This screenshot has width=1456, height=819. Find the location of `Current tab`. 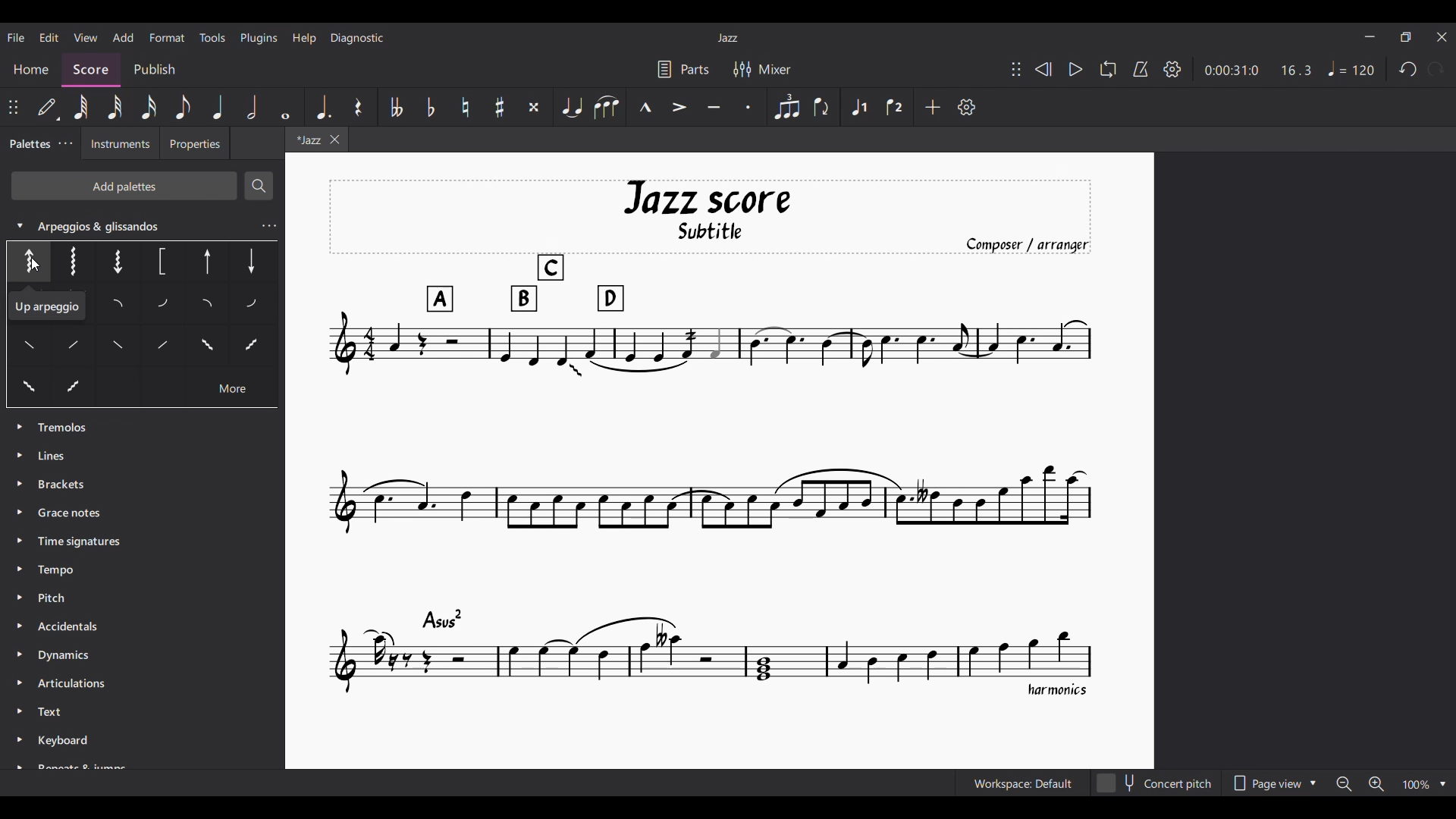

Current tab is located at coordinates (306, 140).